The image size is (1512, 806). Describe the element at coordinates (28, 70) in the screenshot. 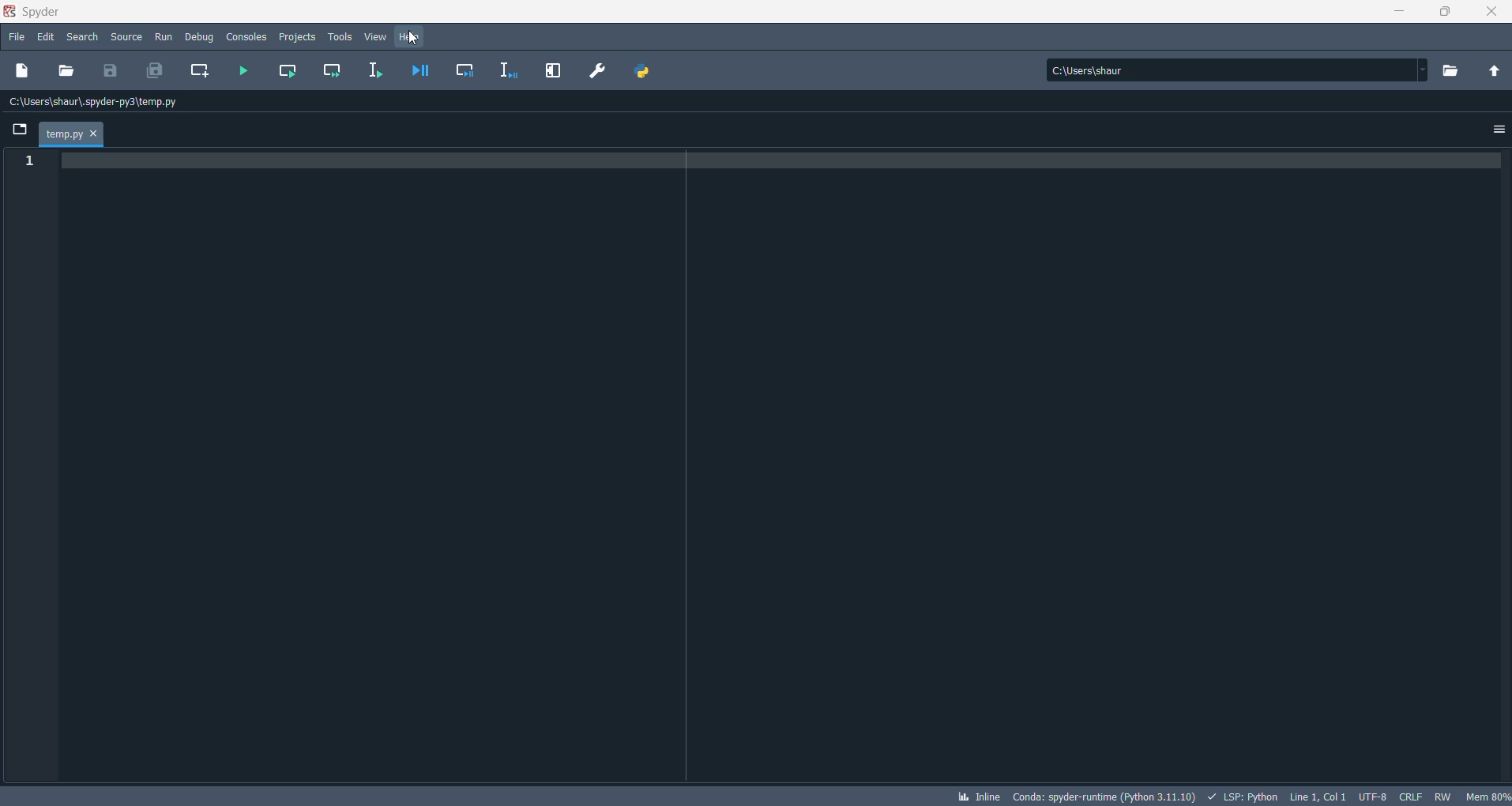

I see `new file` at that location.